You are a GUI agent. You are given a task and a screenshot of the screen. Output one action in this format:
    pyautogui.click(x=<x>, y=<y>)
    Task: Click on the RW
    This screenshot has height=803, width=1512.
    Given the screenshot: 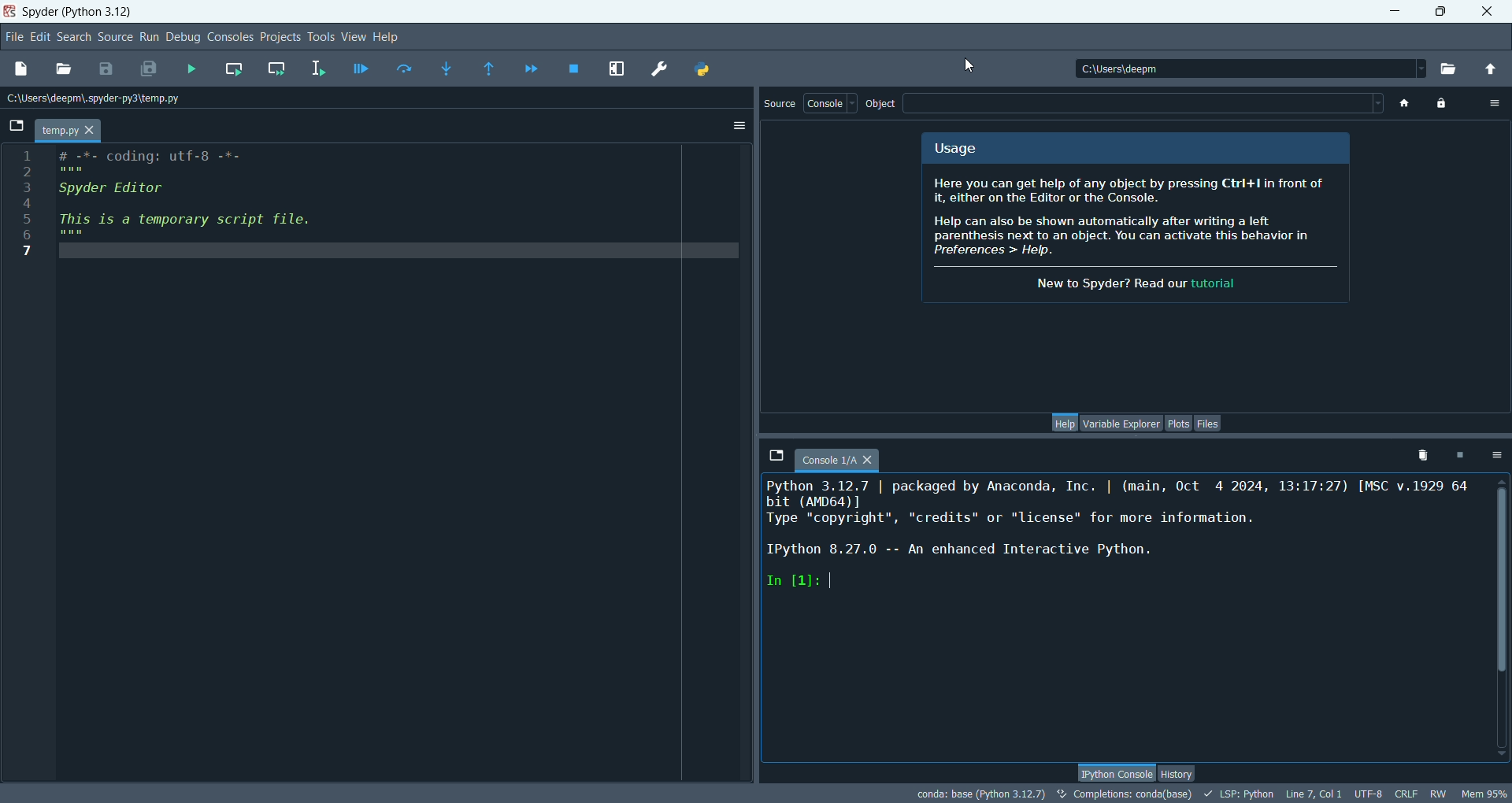 What is the action you would take?
    pyautogui.click(x=1440, y=794)
    